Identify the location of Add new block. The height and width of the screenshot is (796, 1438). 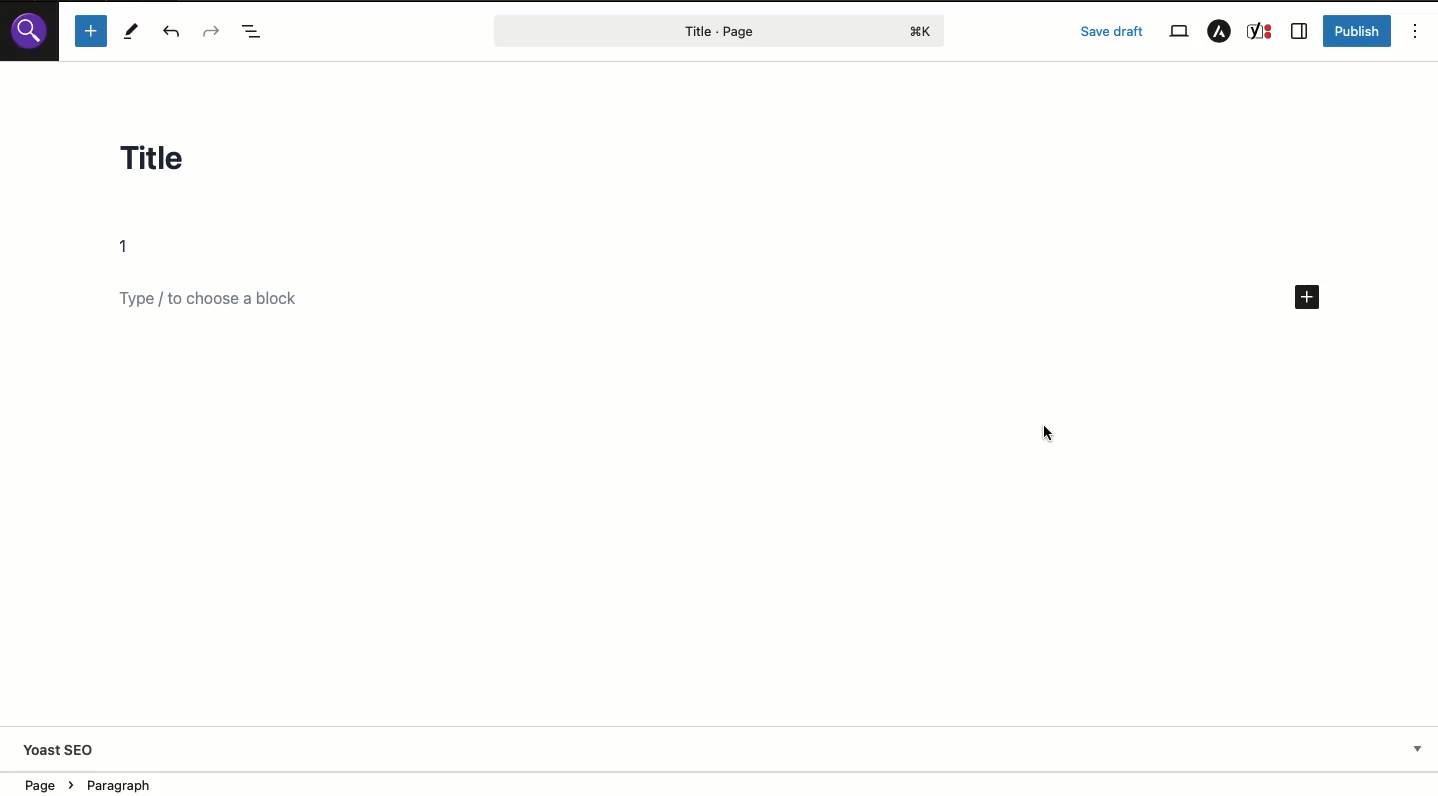
(1309, 299).